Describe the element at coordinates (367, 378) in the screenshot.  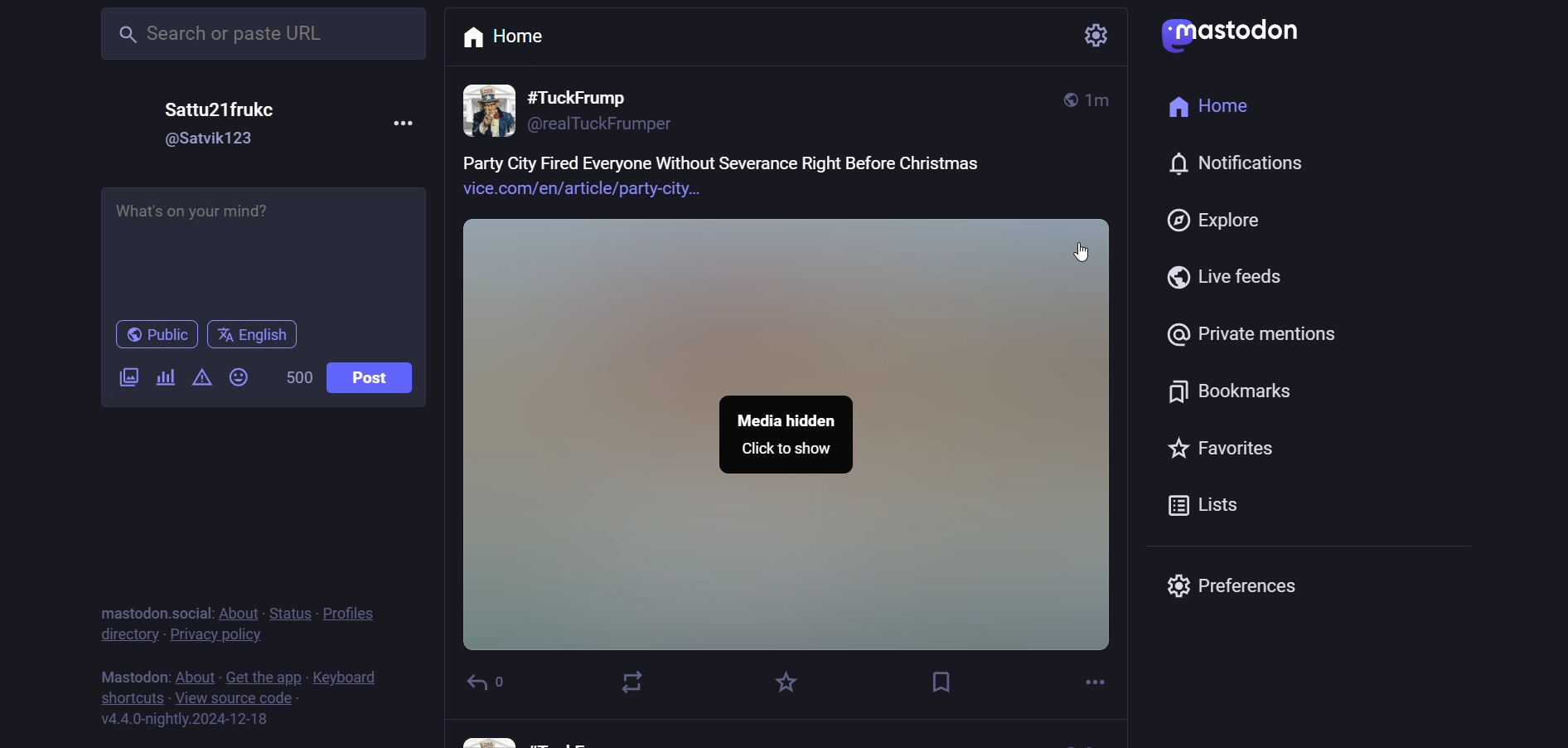
I see `Post` at that location.